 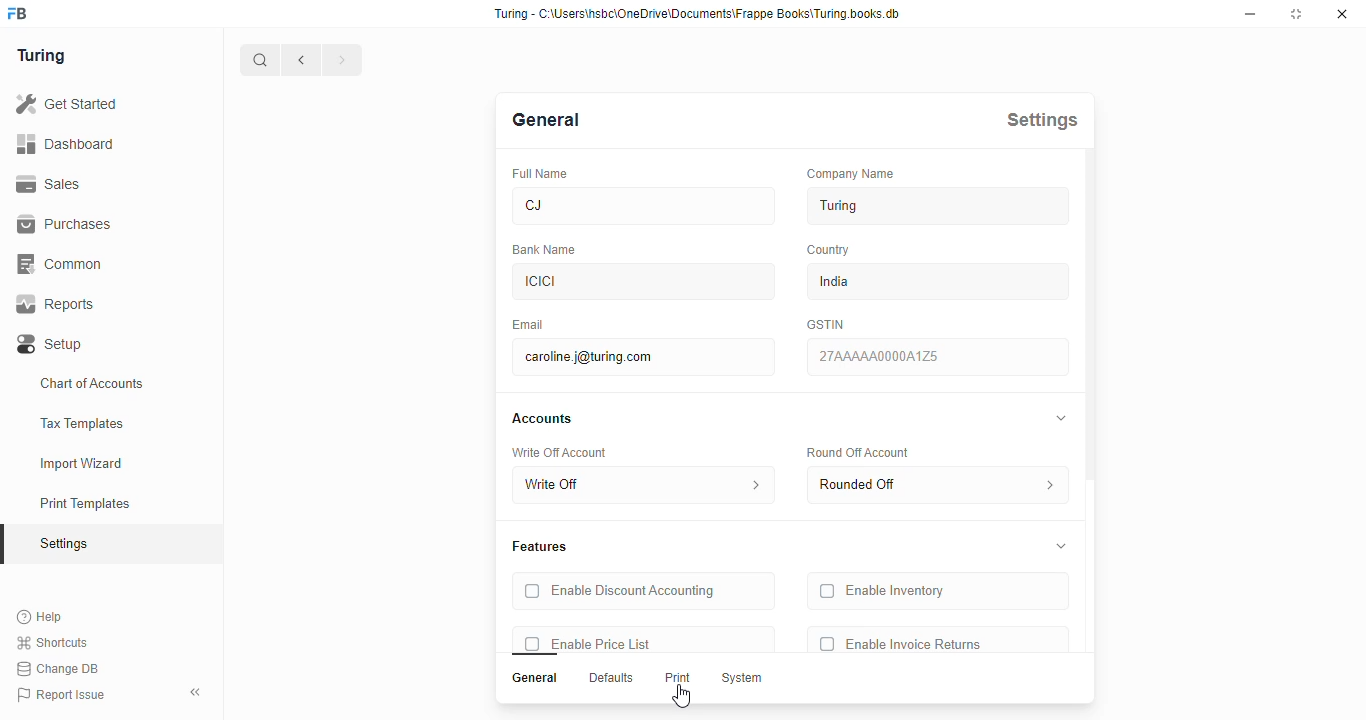 What do you see at coordinates (66, 104) in the screenshot?
I see `get started` at bounding box center [66, 104].